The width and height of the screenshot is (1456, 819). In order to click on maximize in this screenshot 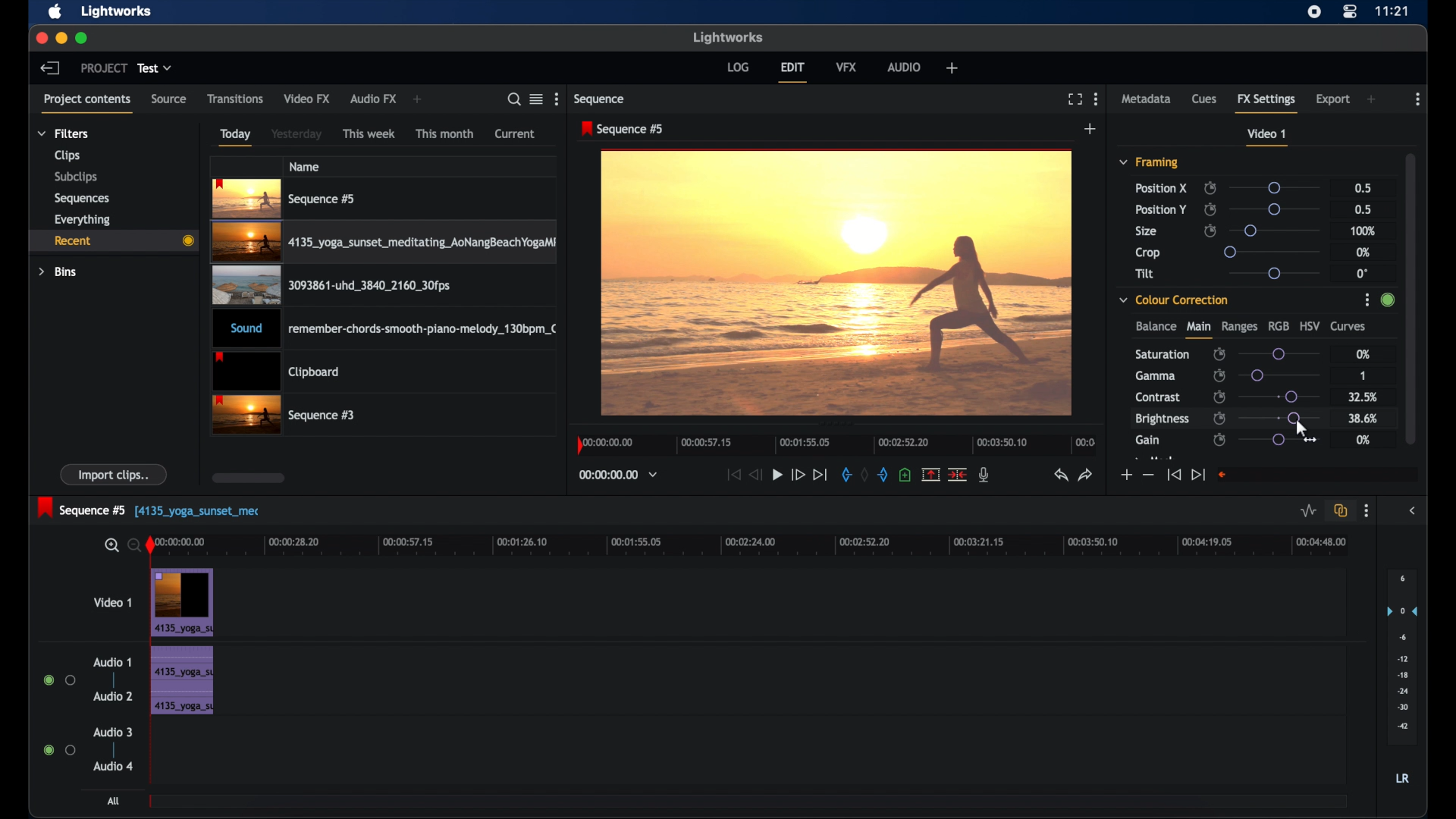, I will do `click(83, 38)`.